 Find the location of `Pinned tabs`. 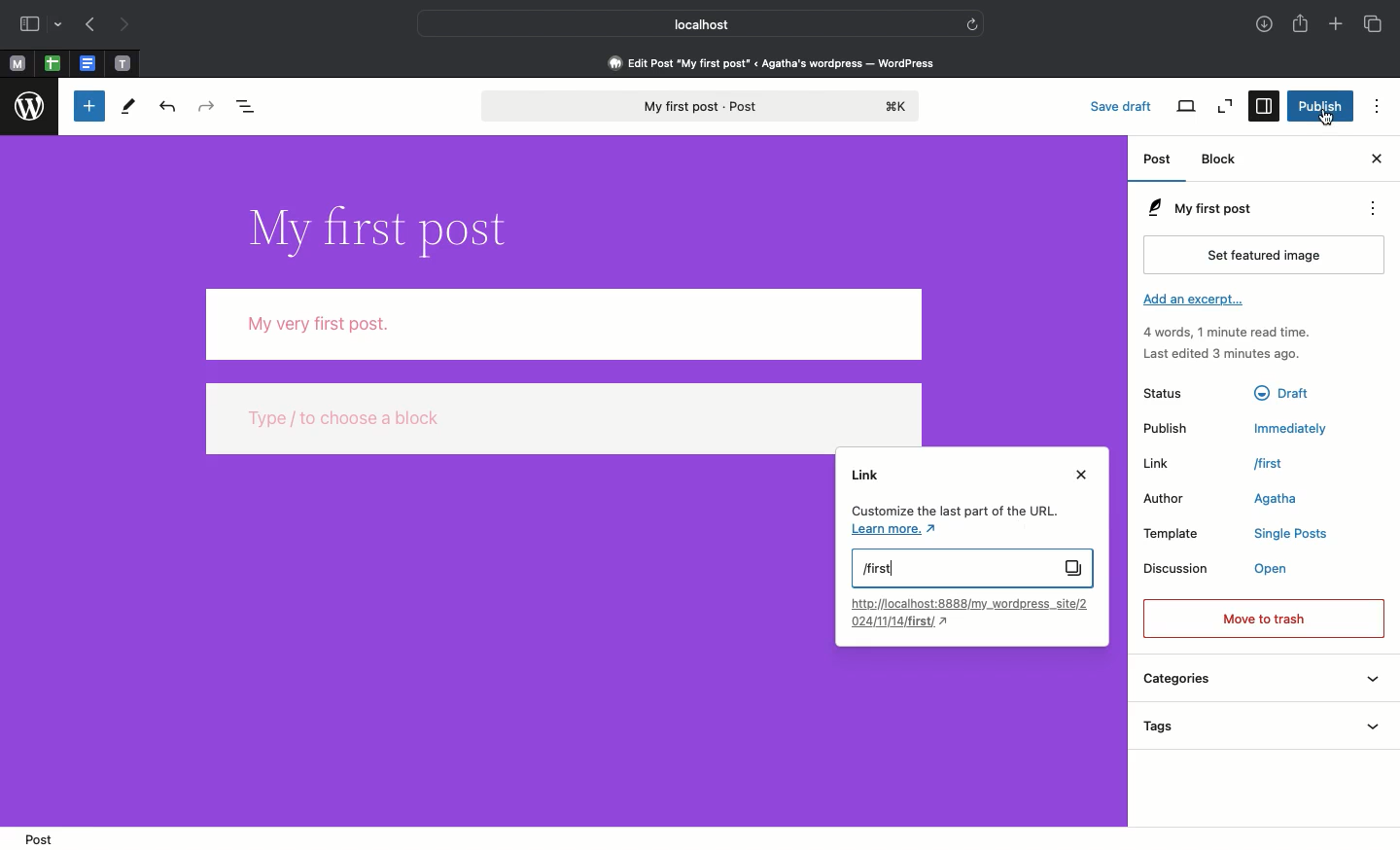

Pinned tabs is located at coordinates (18, 63).